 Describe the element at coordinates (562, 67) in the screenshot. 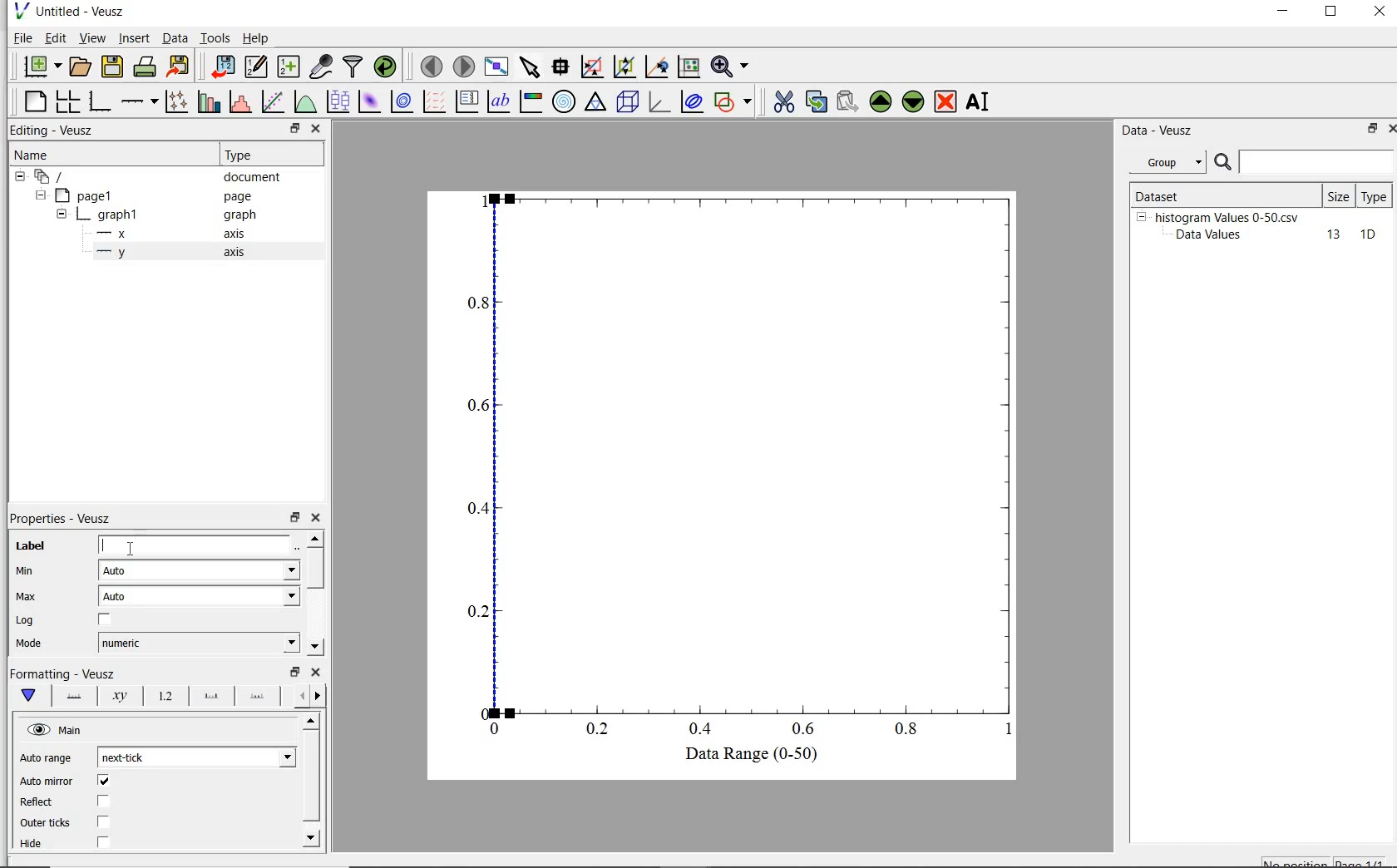

I see `read data points on the graph` at that location.